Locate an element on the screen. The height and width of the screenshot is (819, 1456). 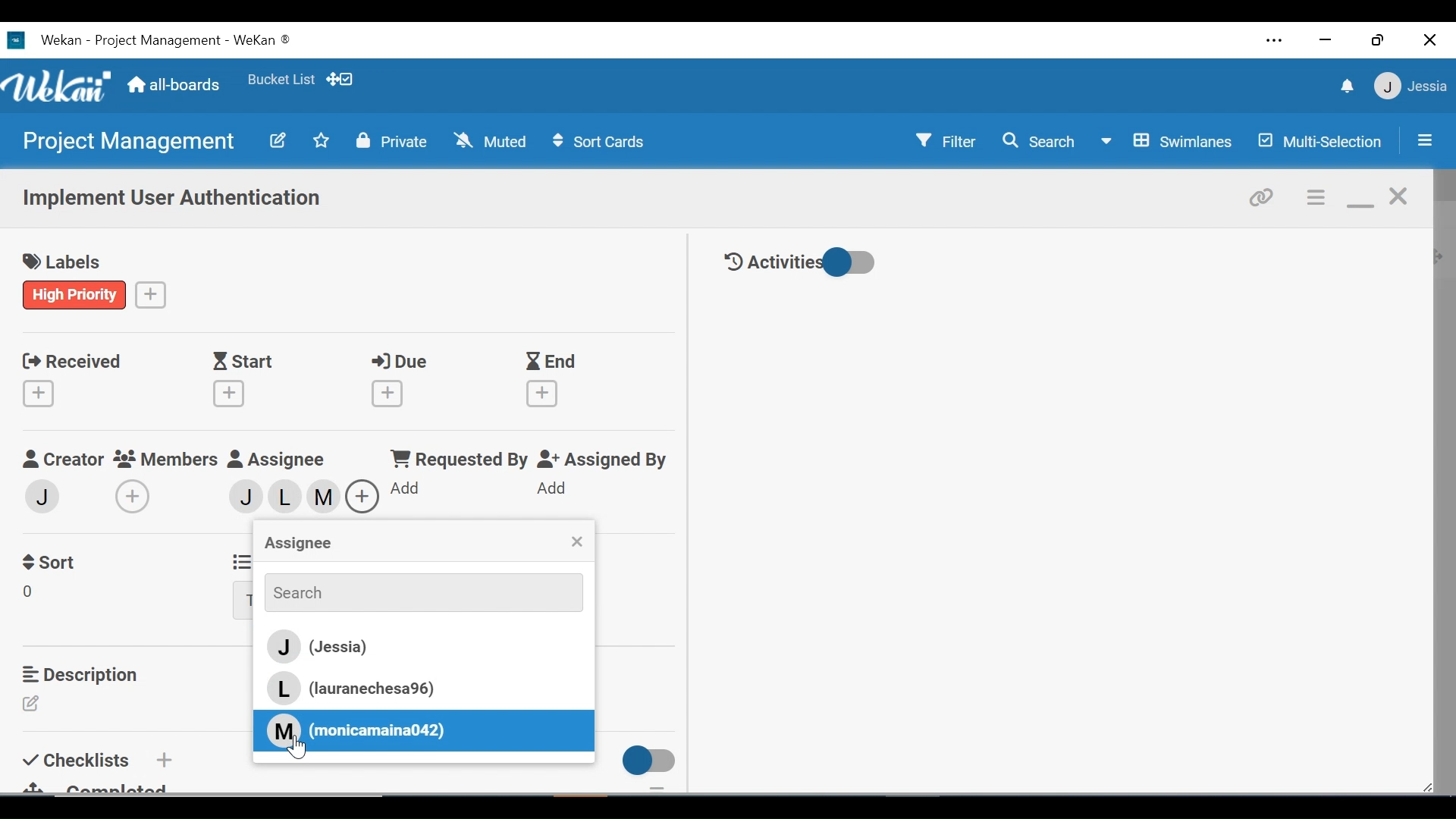
wekan icon is located at coordinates (20, 40).